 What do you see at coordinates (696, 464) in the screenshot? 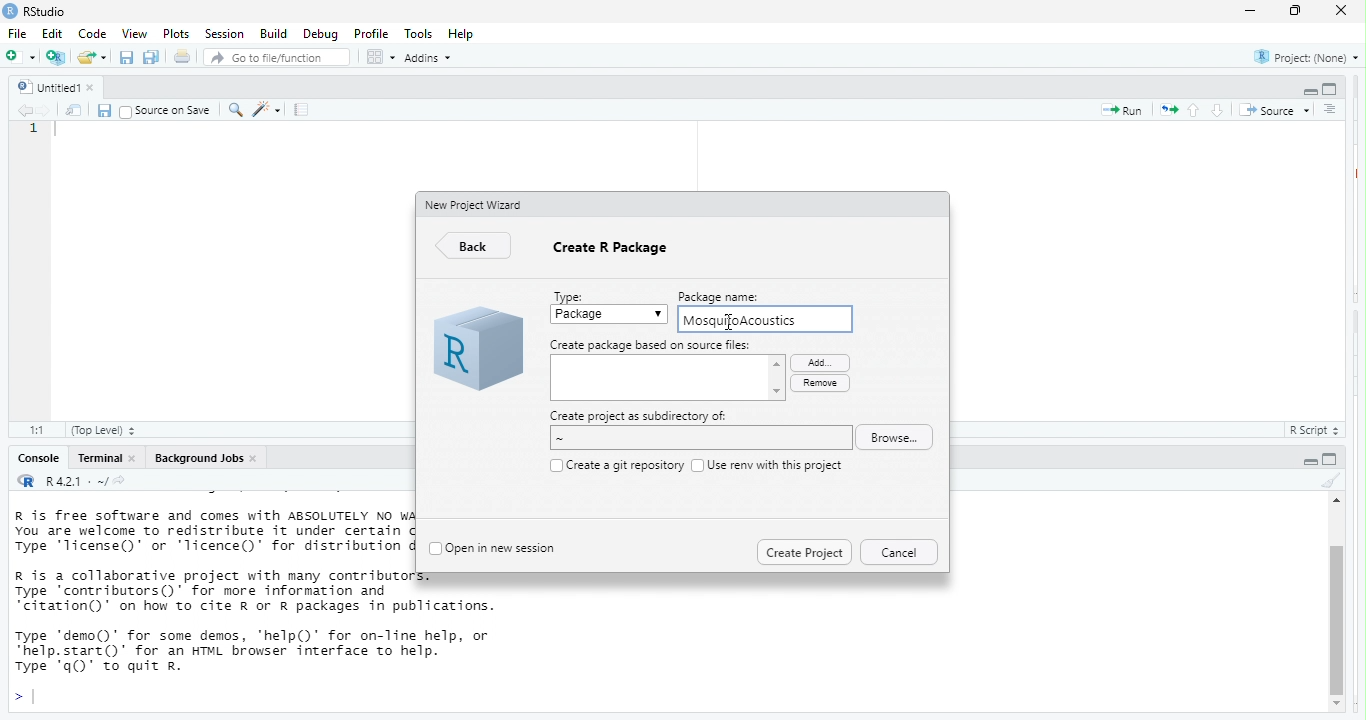
I see `checkbox` at bounding box center [696, 464].